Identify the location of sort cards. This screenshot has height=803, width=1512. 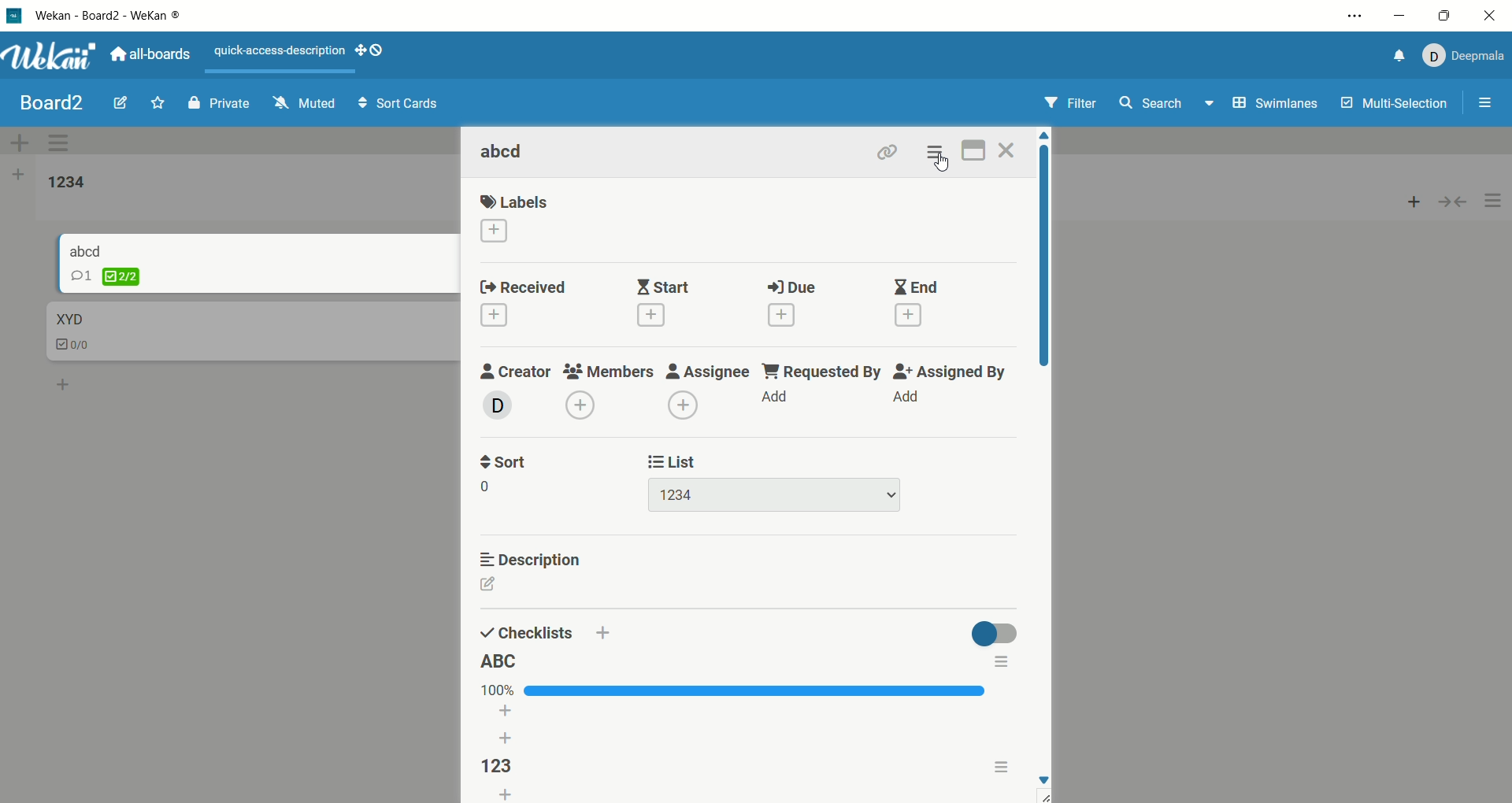
(395, 105).